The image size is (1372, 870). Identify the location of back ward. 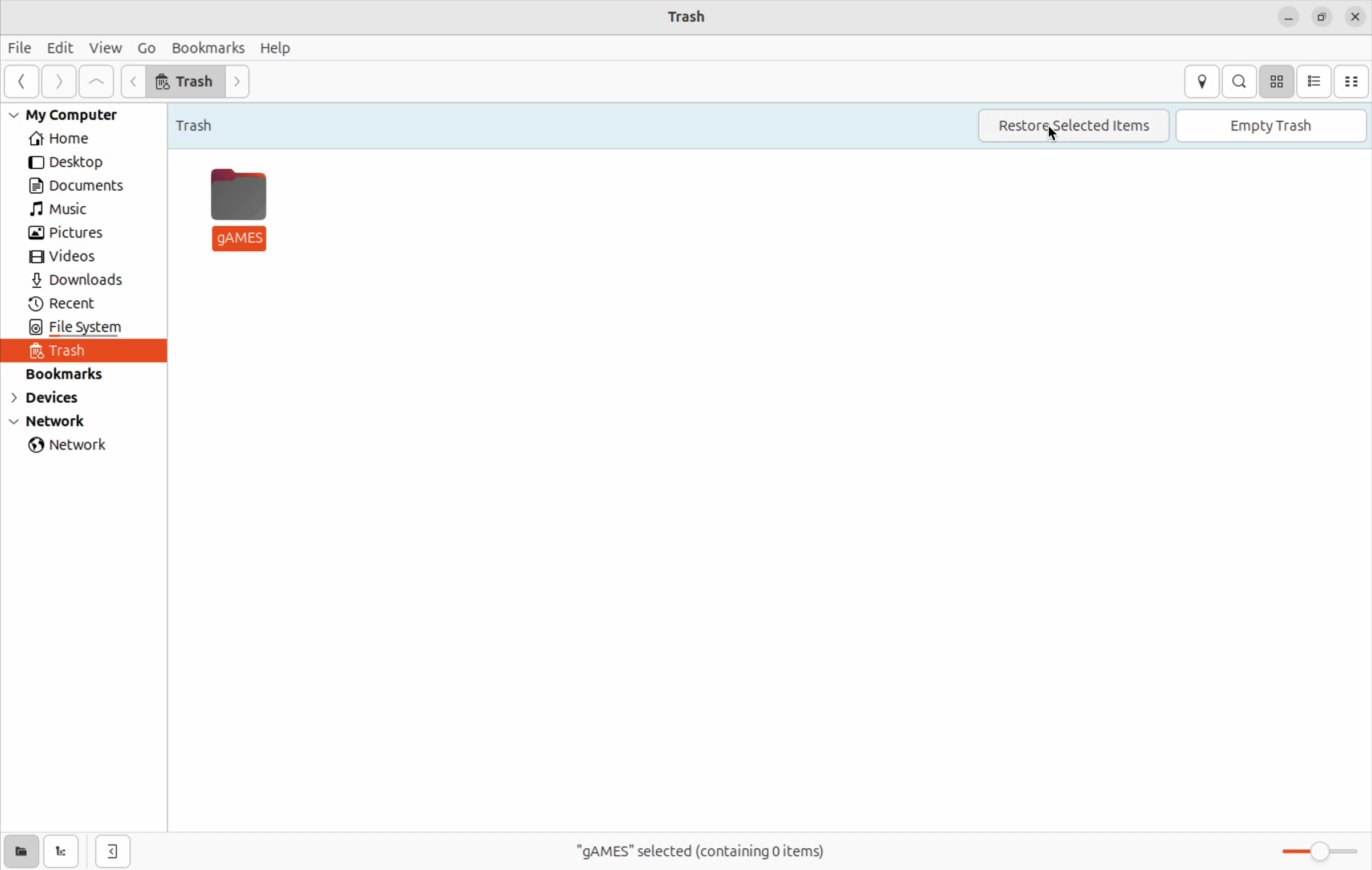
(23, 83).